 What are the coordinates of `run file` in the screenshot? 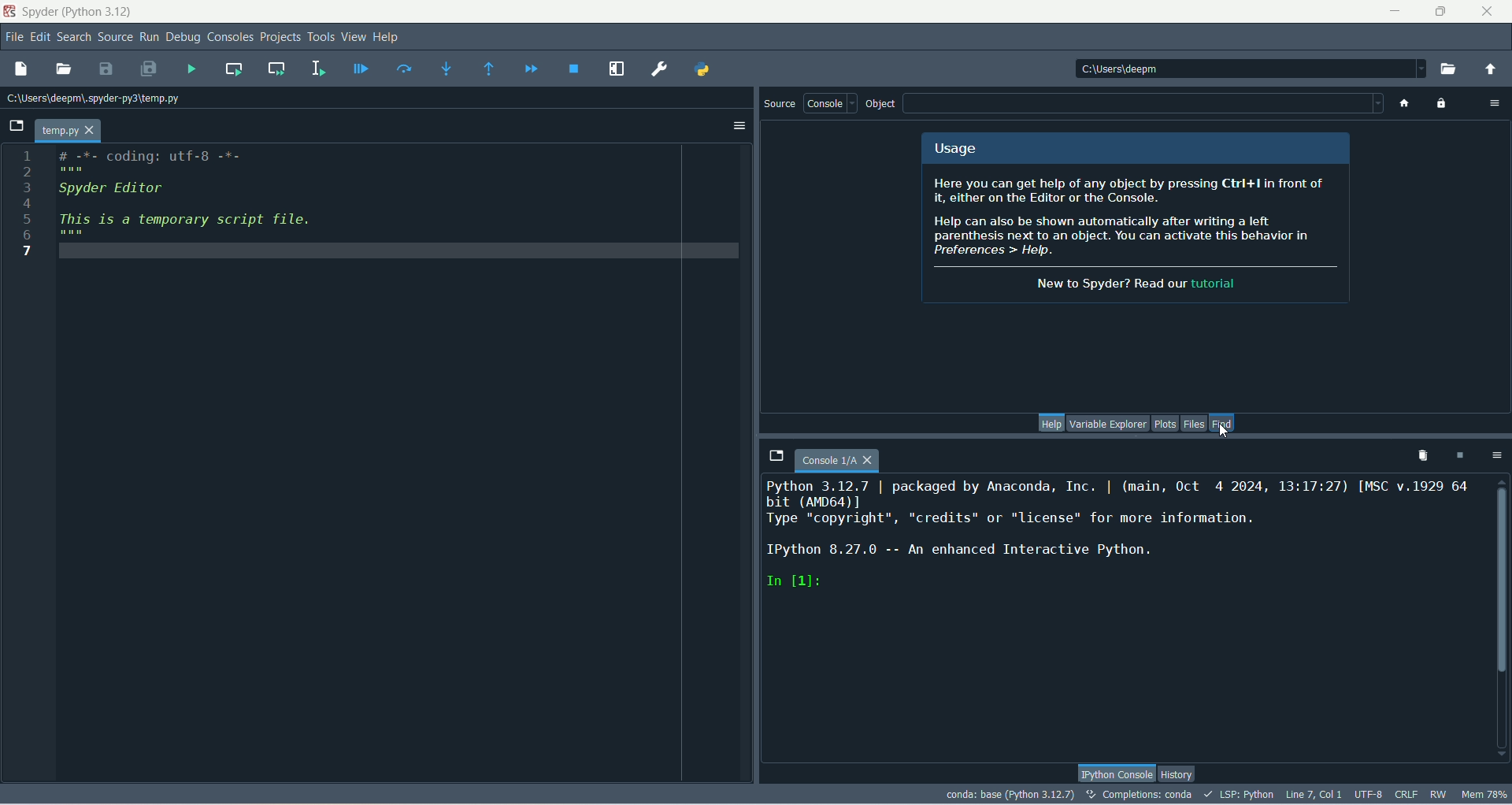 It's located at (194, 69).